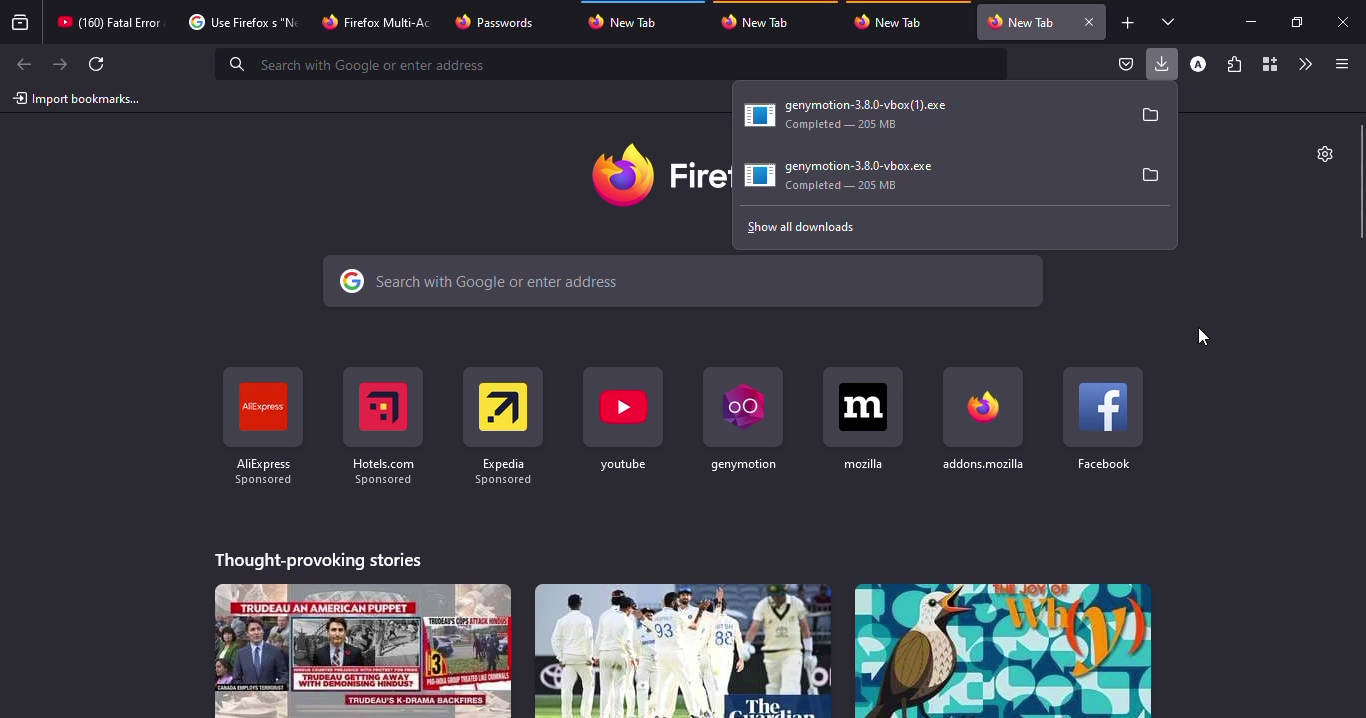 The image size is (1366, 718). I want to click on extensions, so click(1234, 66).